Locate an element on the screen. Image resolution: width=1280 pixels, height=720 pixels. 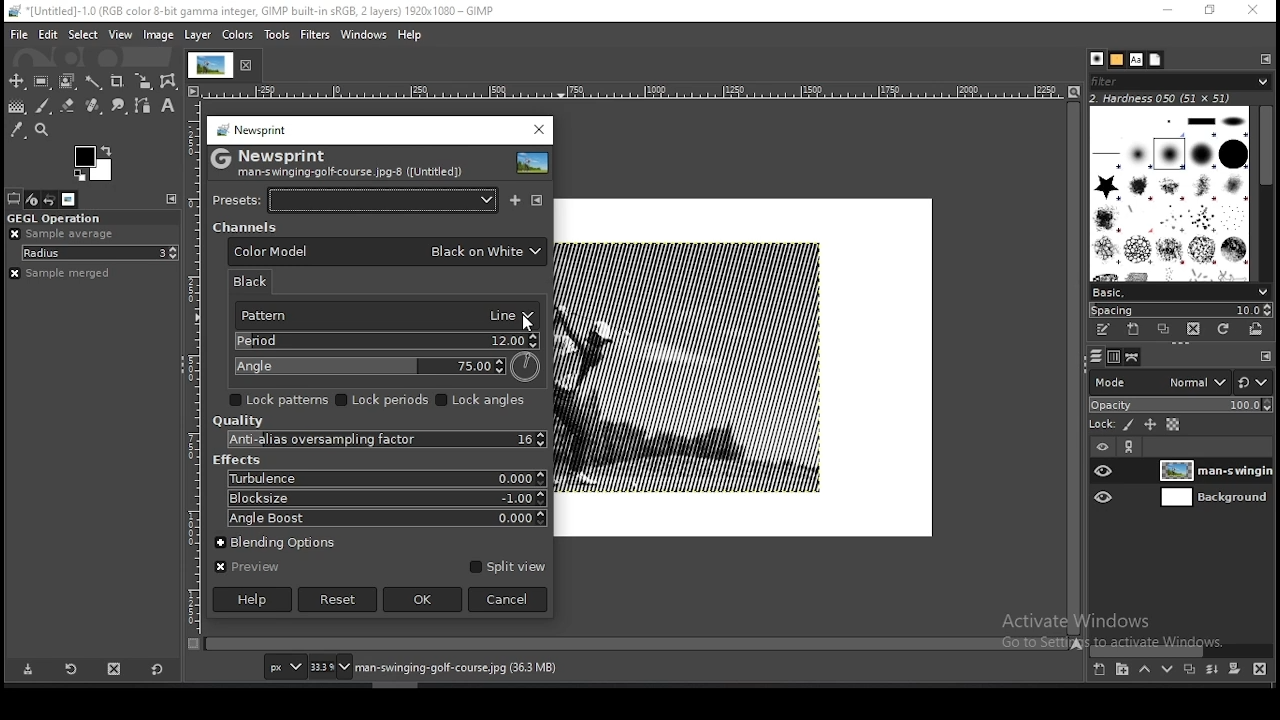
move layer one step up is located at coordinates (1144, 669).